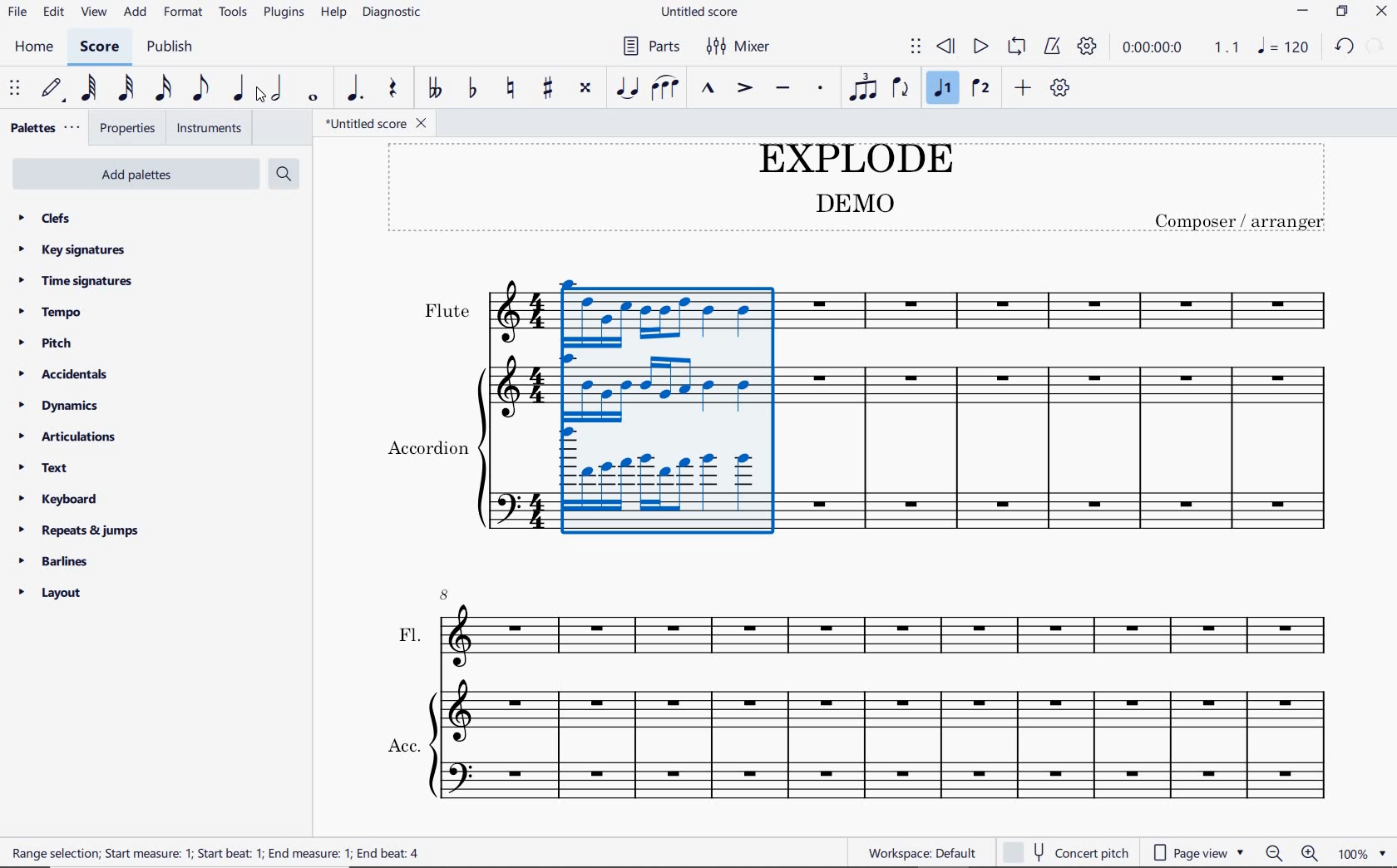 This screenshot has width=1397, height=868. I want to click on accidentals, so click(68, 374).